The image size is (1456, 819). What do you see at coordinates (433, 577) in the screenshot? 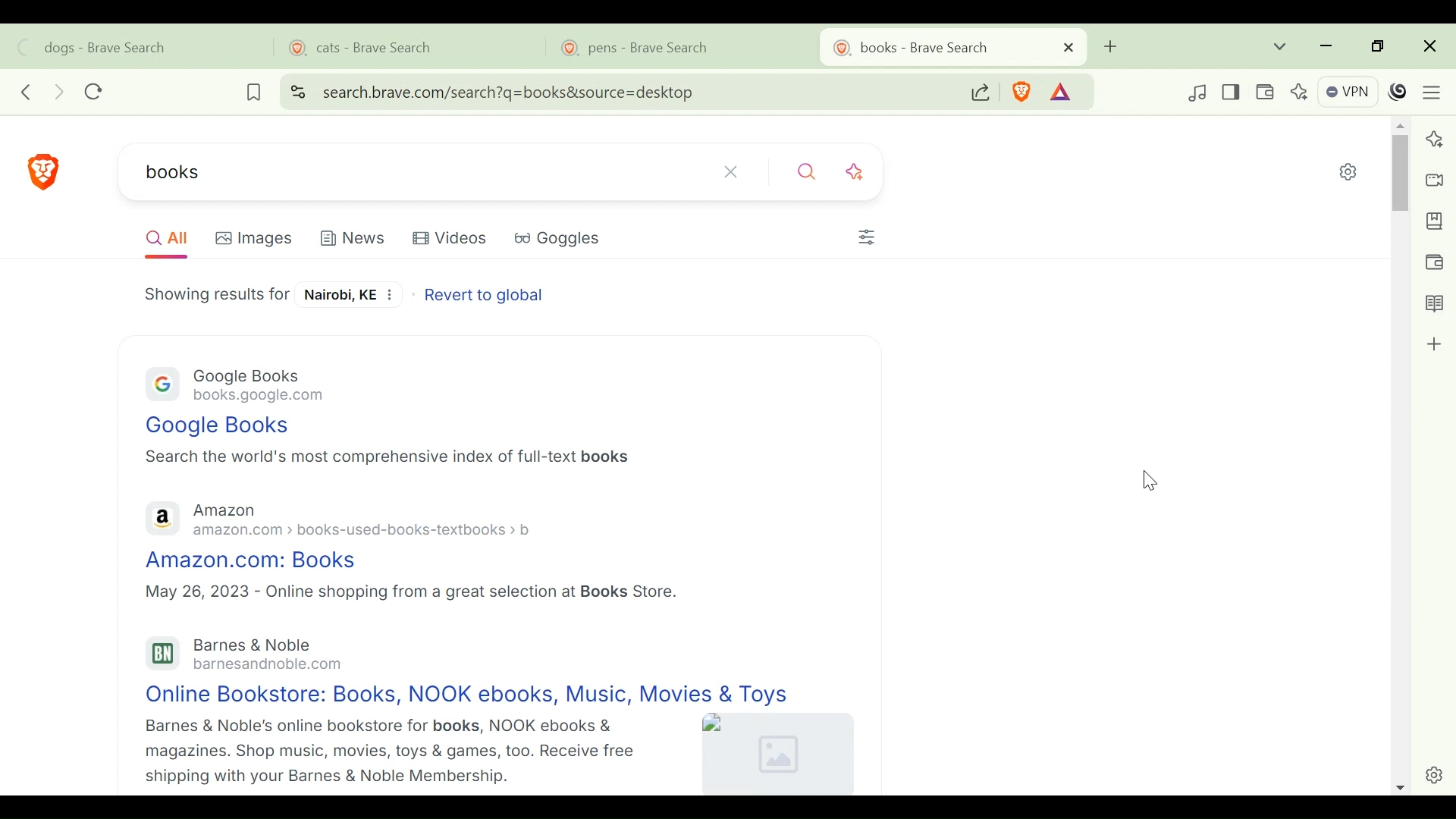
I see `Amazon.com: Books
May 26, 2023 - Online shopping from a great selection at Books Store.` at bounding box center [433, 577].